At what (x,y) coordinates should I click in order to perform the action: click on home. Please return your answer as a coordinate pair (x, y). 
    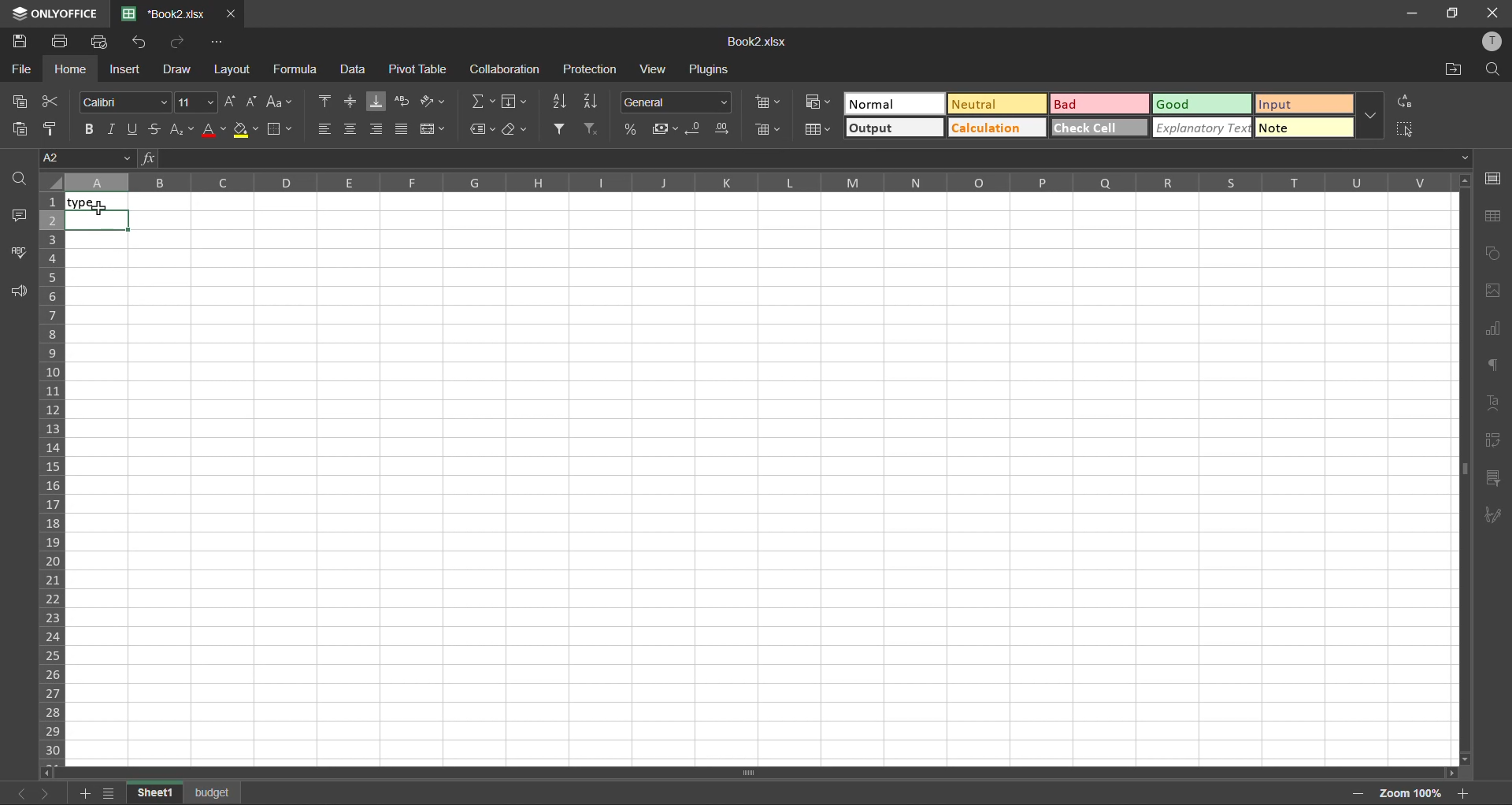
    Looking at the image, I should click on (69, 69).